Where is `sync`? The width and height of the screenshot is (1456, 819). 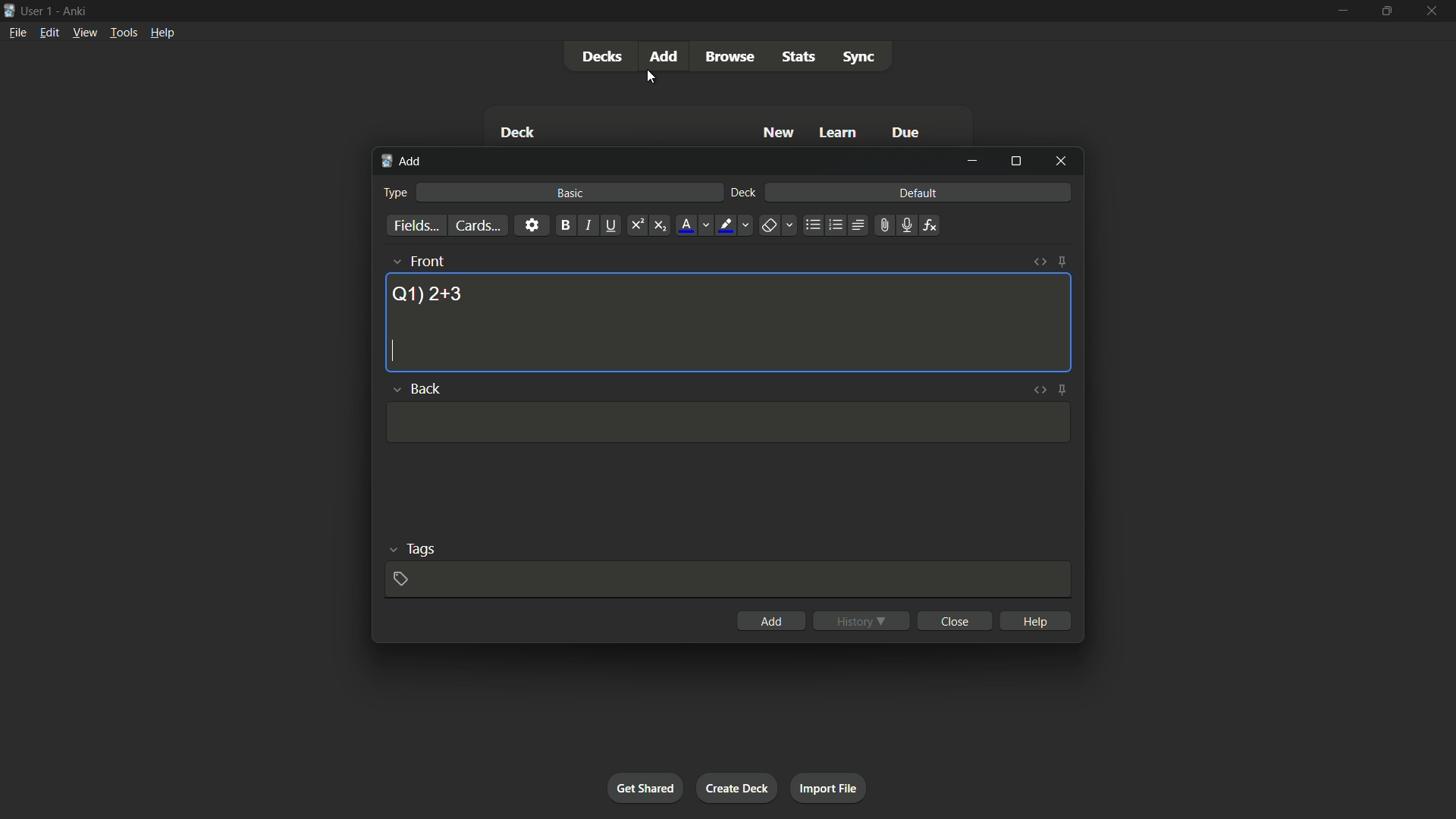 sync is located at coordinates (859, 58).